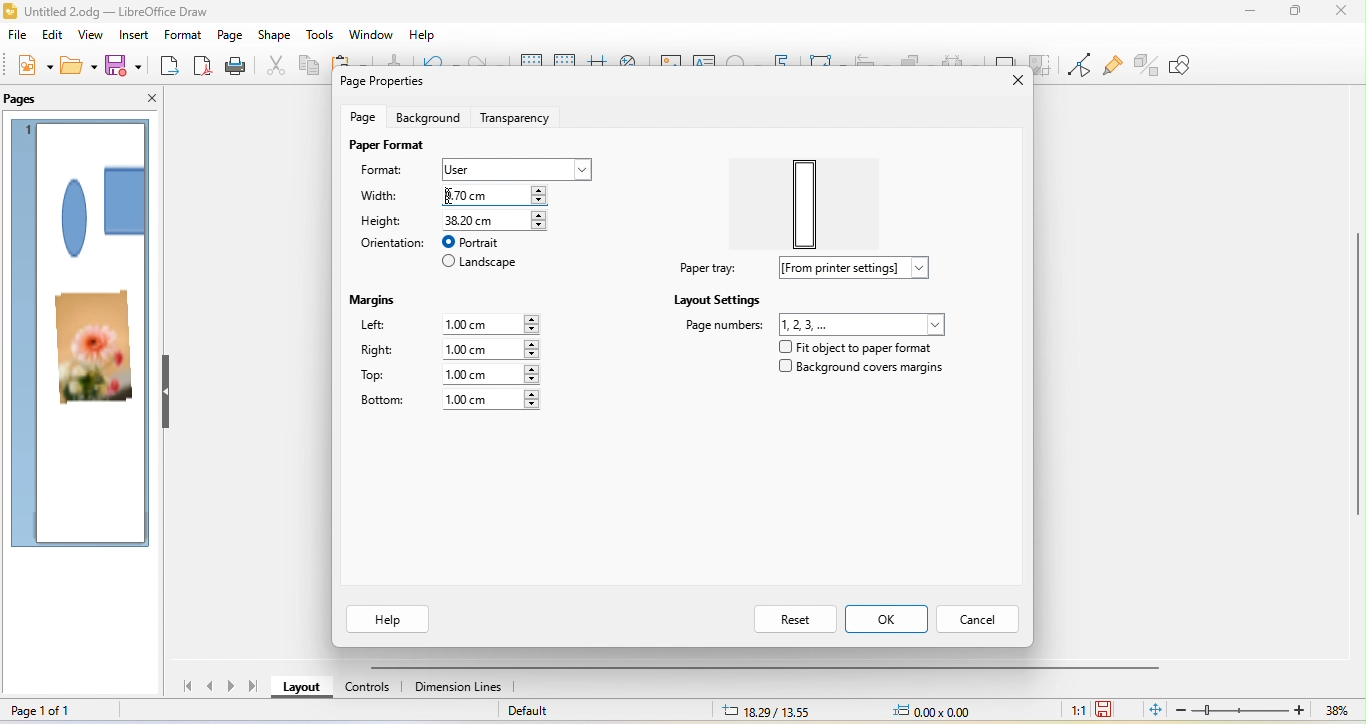  Describe the element at coordinates (385, 168) in the screenshot. I see `format` at that location.